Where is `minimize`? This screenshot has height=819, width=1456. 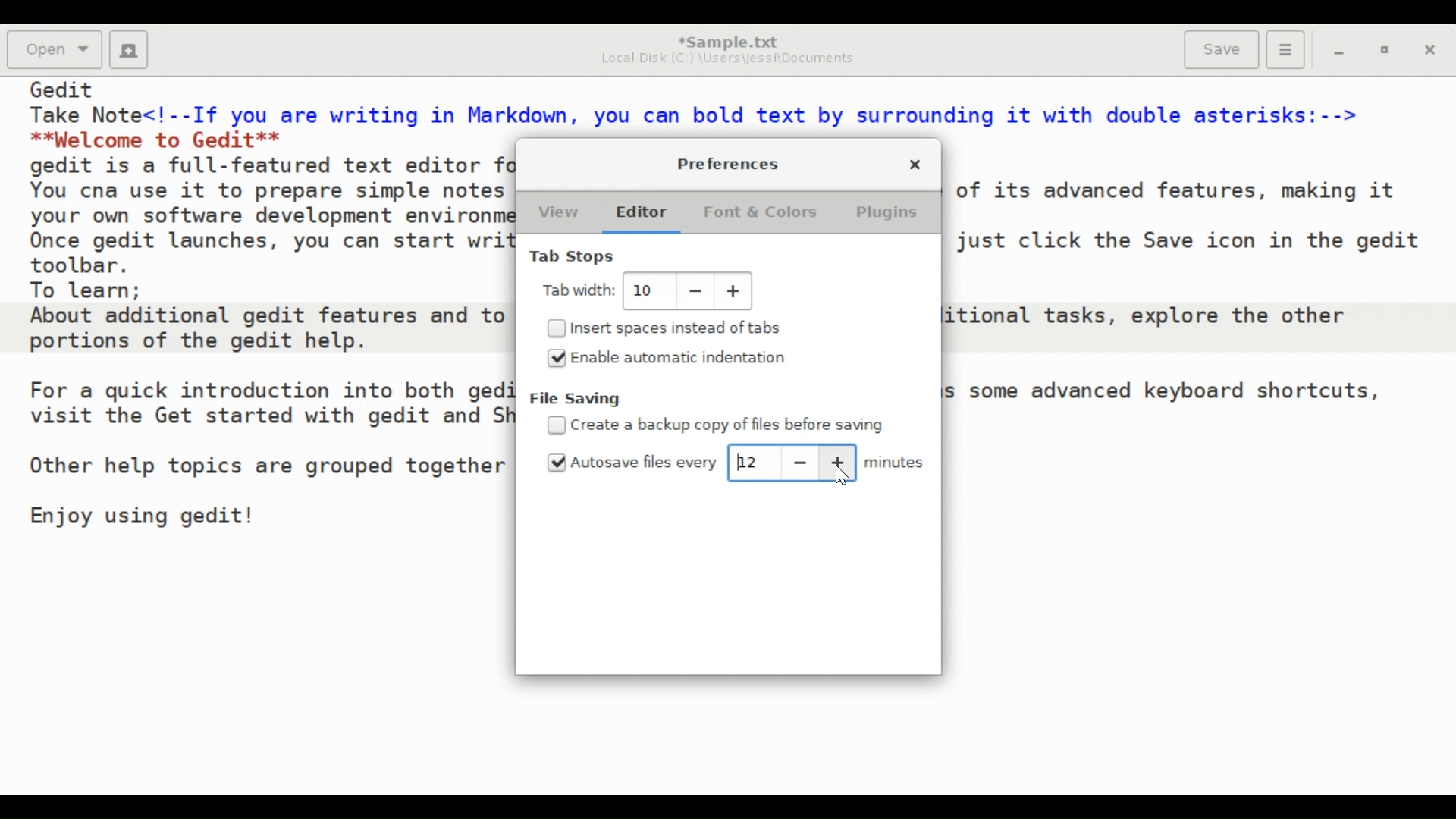
minimize is located at coordinates (1339, 52).